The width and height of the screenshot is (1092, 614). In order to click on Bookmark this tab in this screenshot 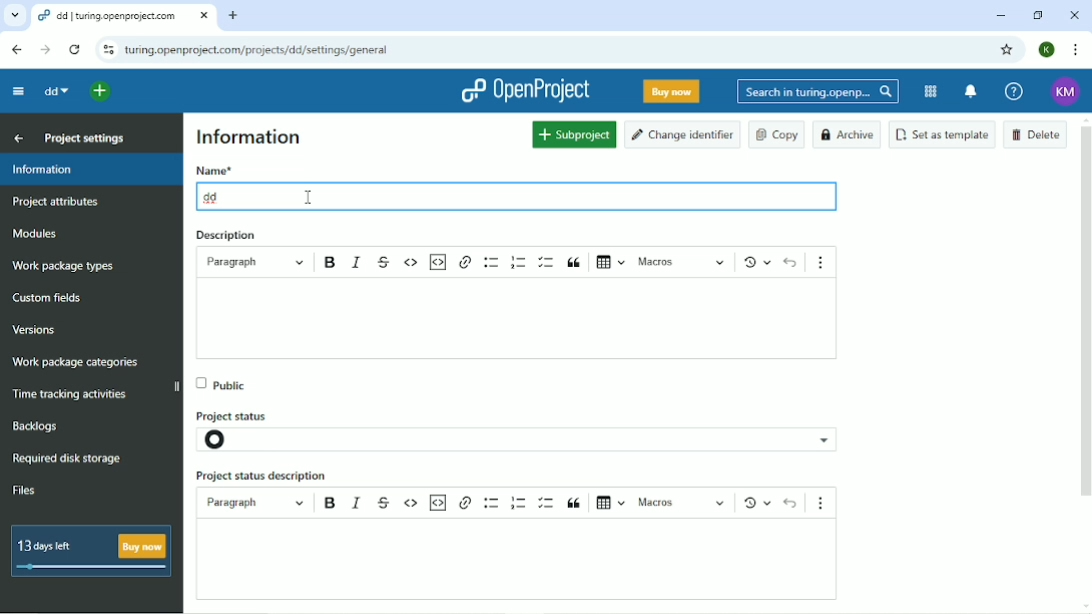, I will do `click(1007, 50)`.